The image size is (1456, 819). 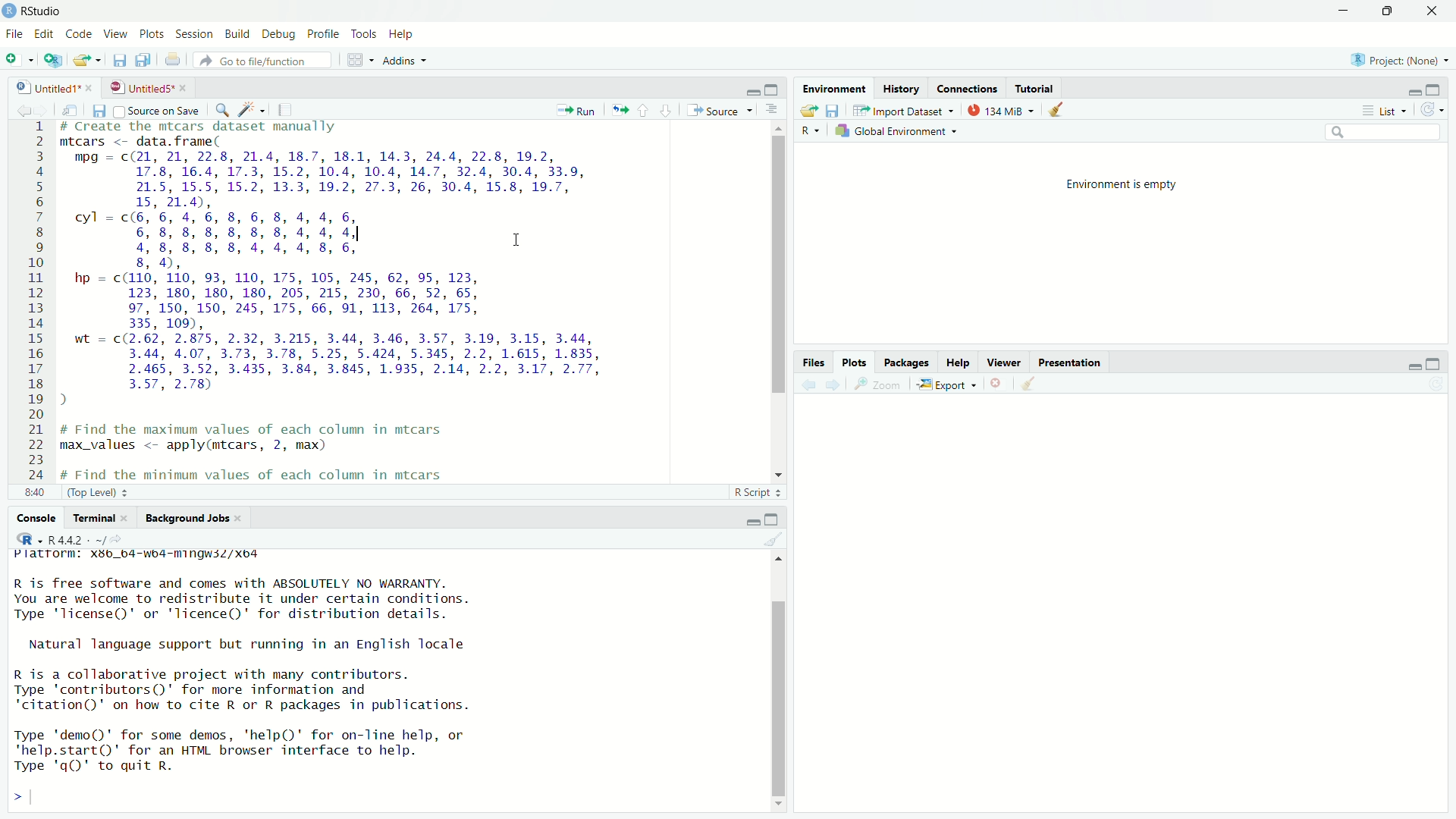 I want to click on move, so click(x=76, y=111).